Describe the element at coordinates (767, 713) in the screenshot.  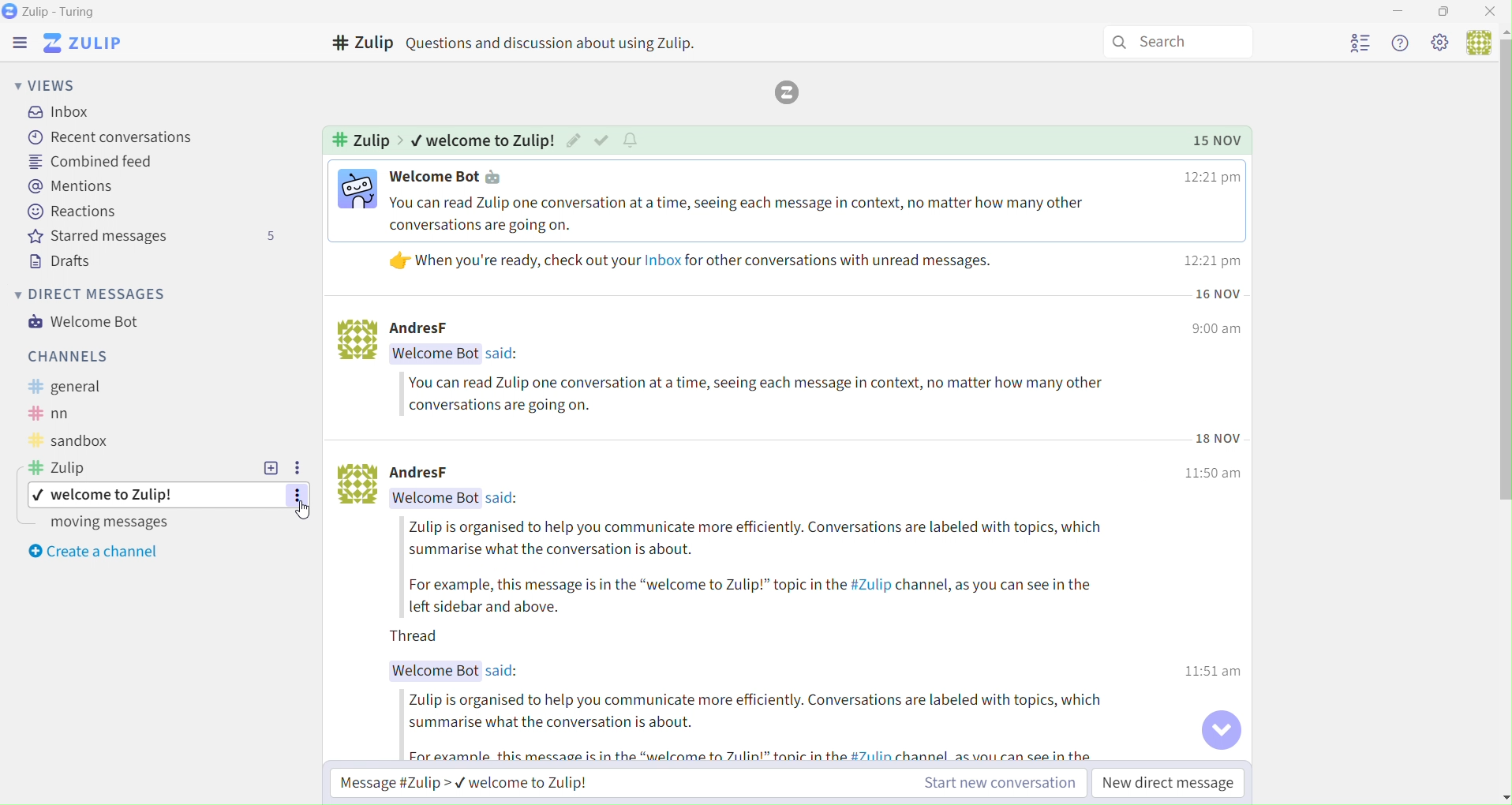
I see `Text` at that location.